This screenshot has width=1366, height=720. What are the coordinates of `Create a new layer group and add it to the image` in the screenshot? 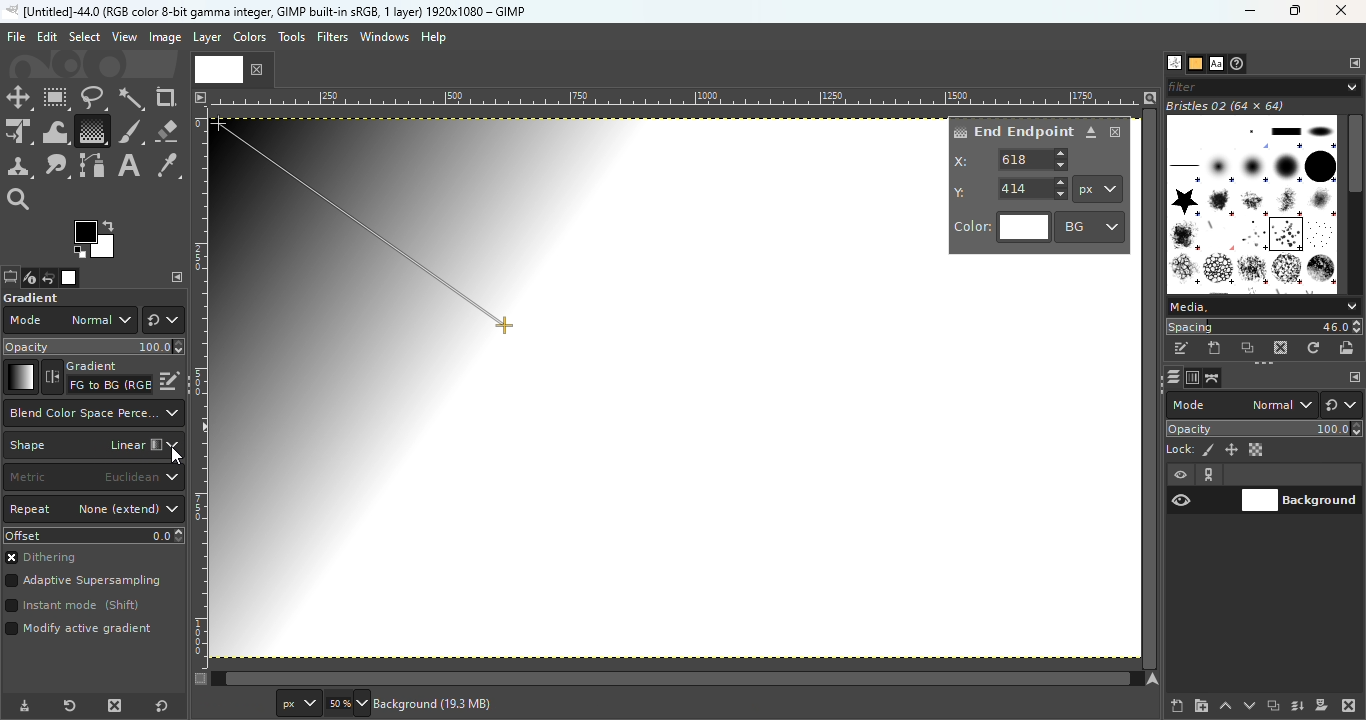 It's located at (1201, 706).